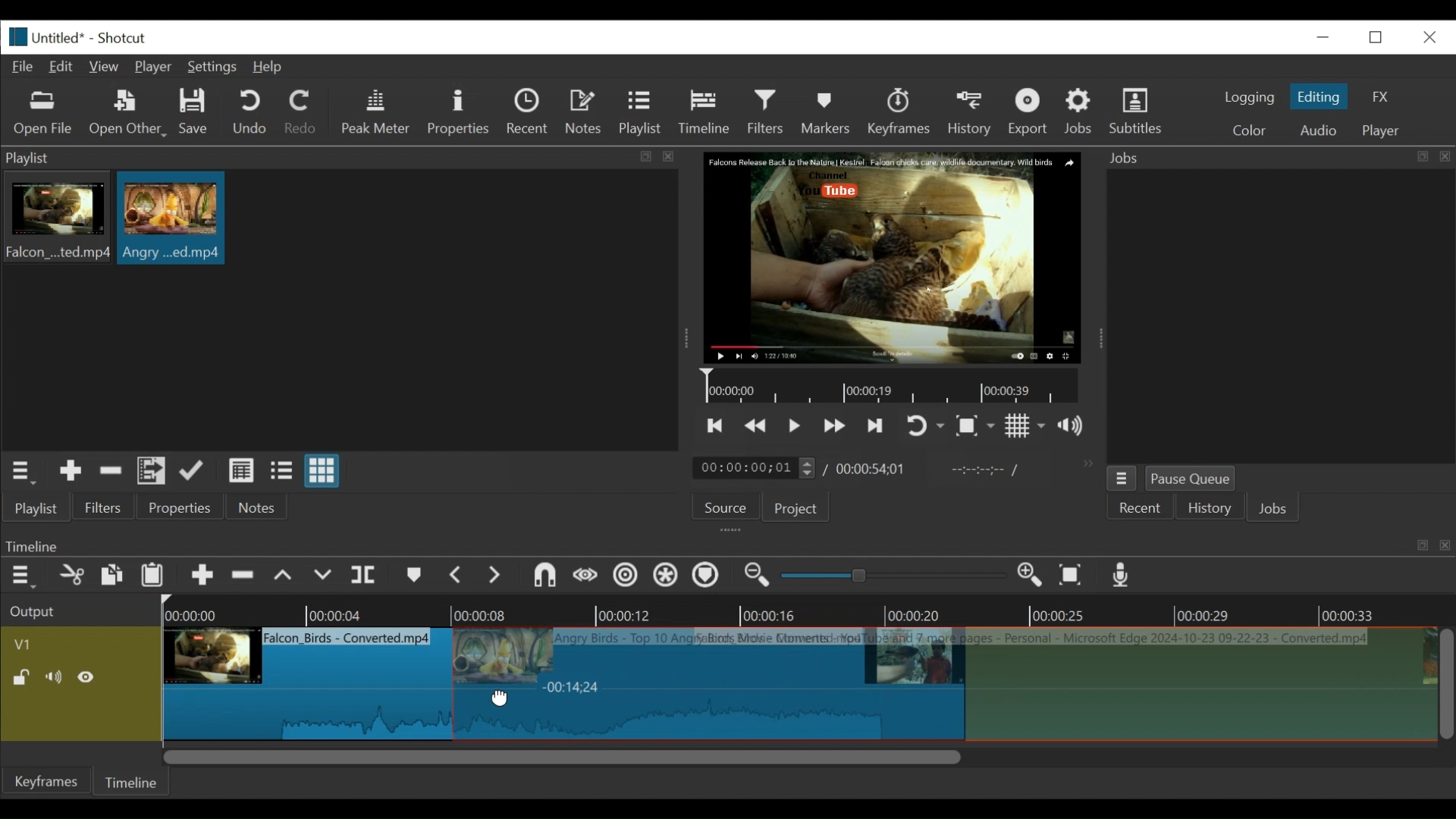 The width and height of the screenshot is (1456, 819). Describe the element at coordinates (69, 473) in the screenshot. I see `Add the source to the playlist` at that location.